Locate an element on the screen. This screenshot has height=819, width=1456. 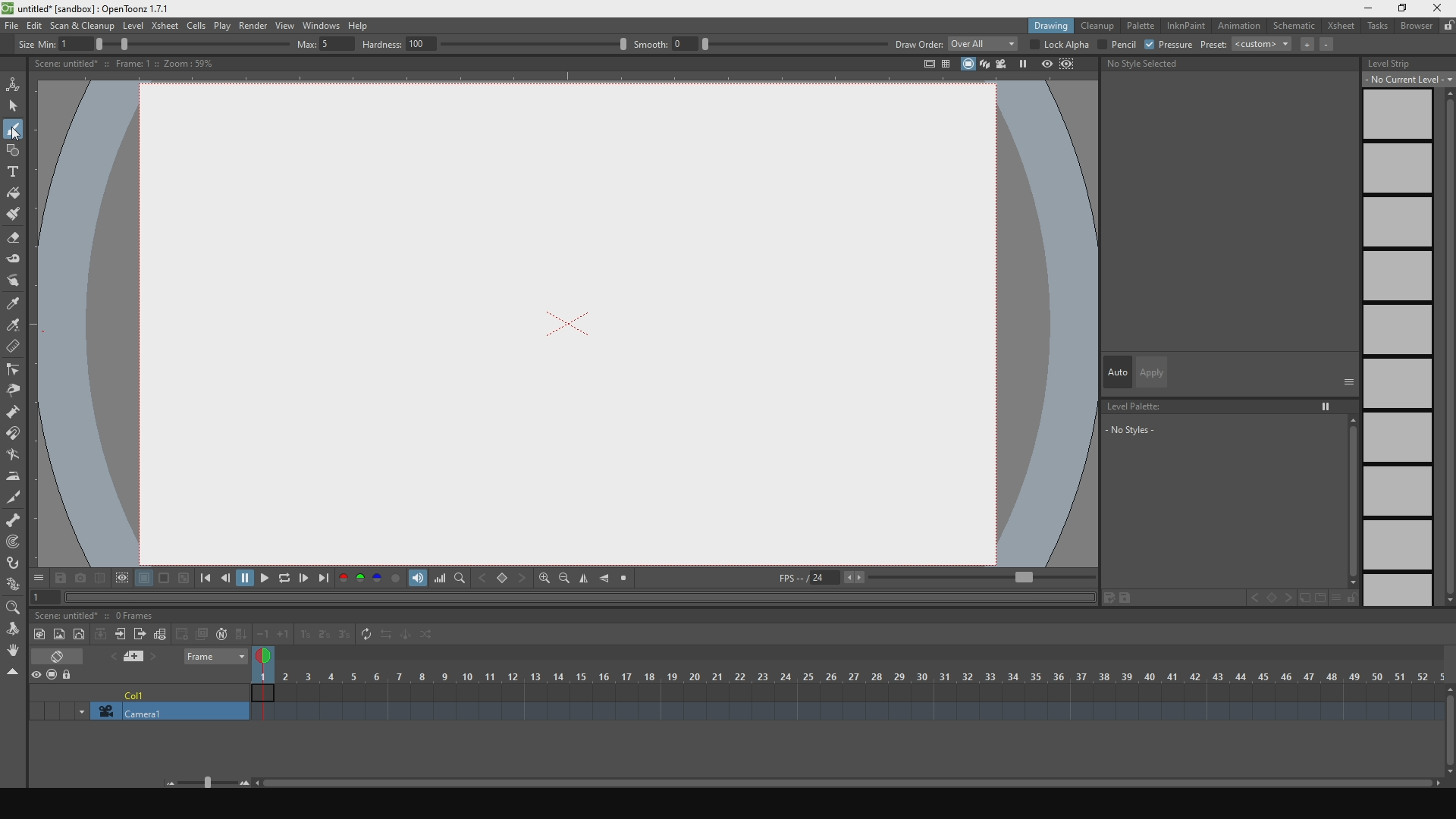
zoom is located at coordinates (14, 608).